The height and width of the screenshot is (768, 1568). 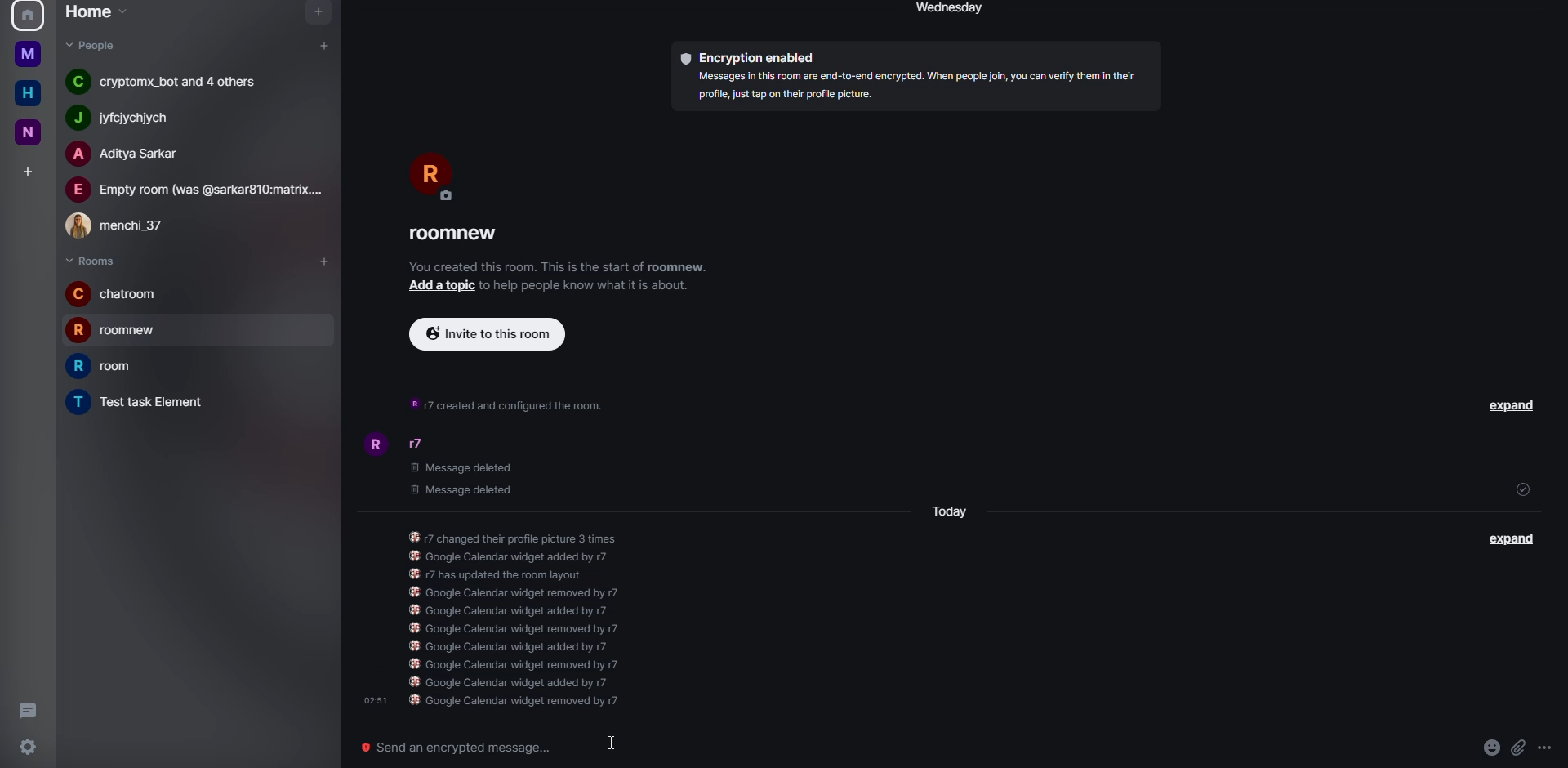 I want to click on cursor, so click(x=612, y=744).